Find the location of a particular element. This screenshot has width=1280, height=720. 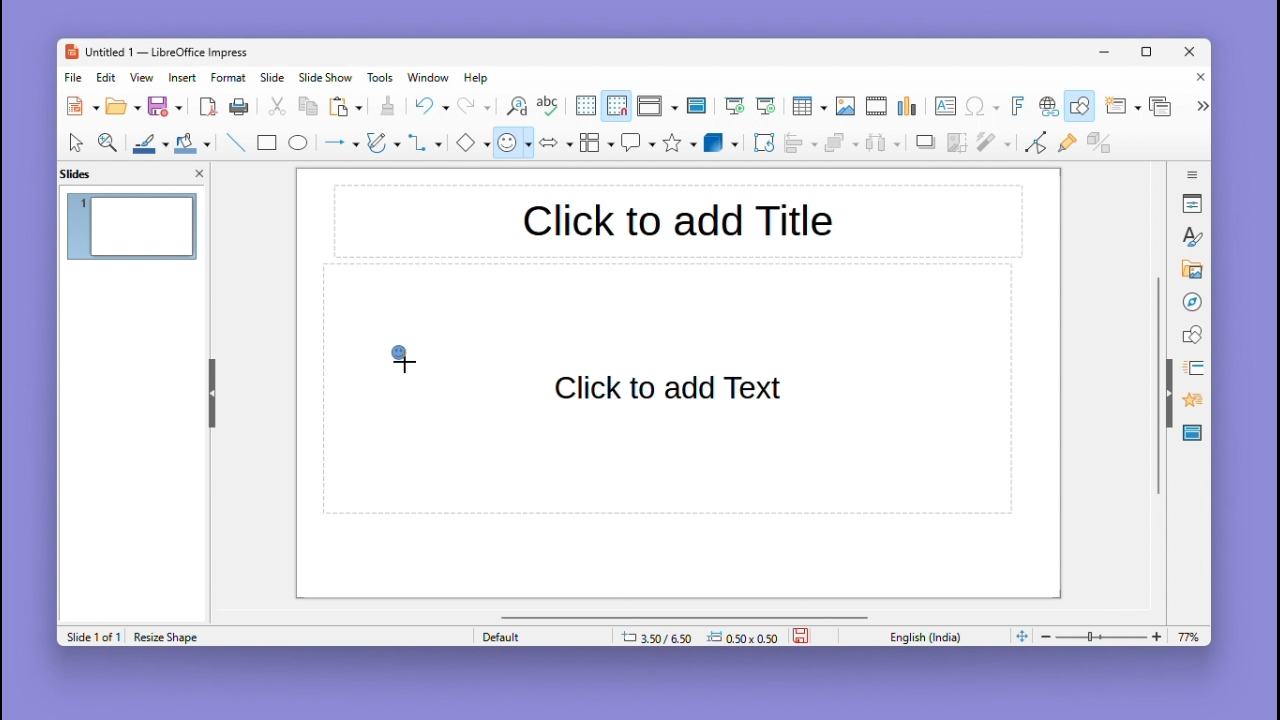

pencil is located at coordinates (383, 145).